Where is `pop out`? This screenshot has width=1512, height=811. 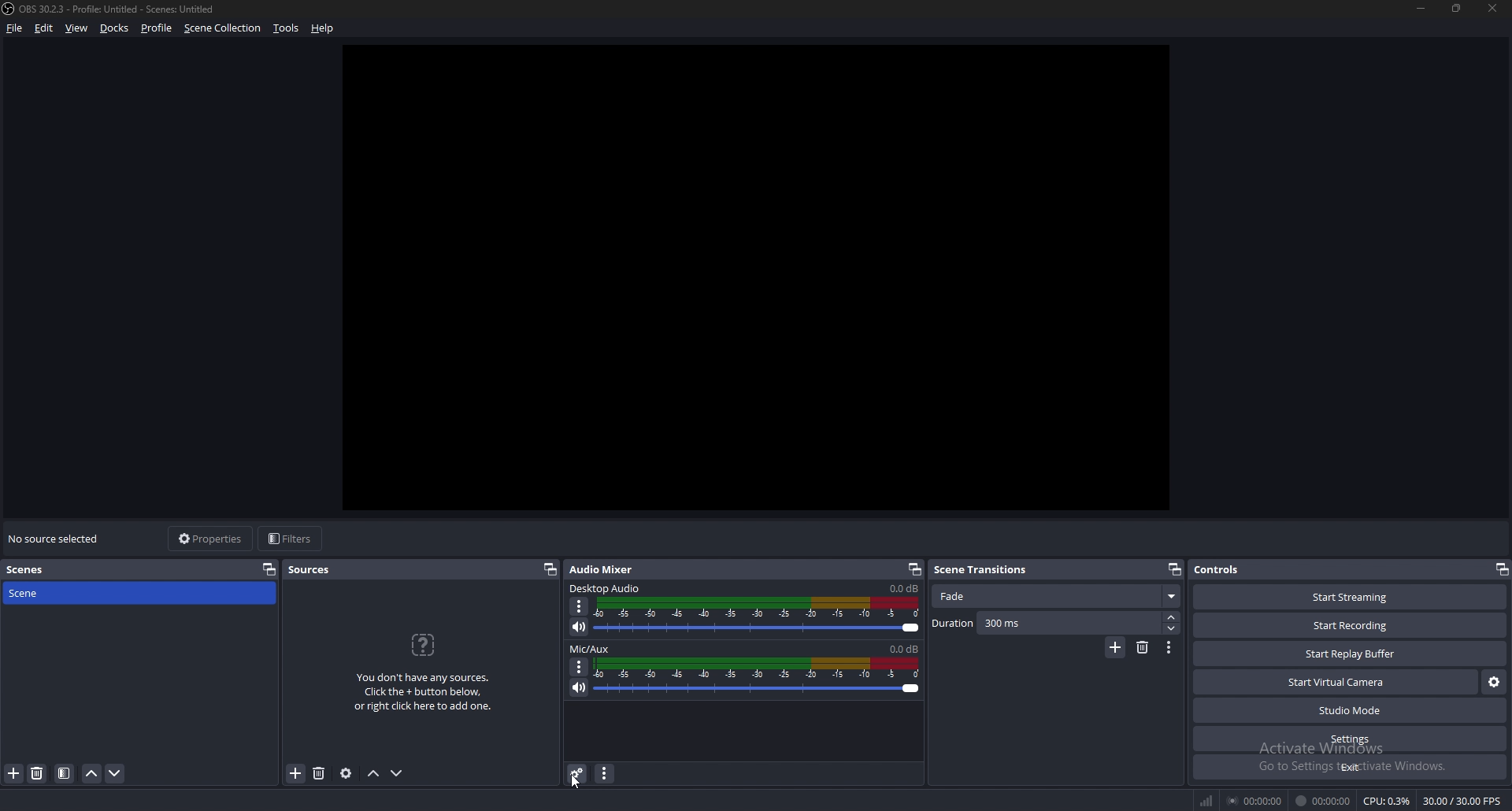 pop out is located at coordinates (269, 569).